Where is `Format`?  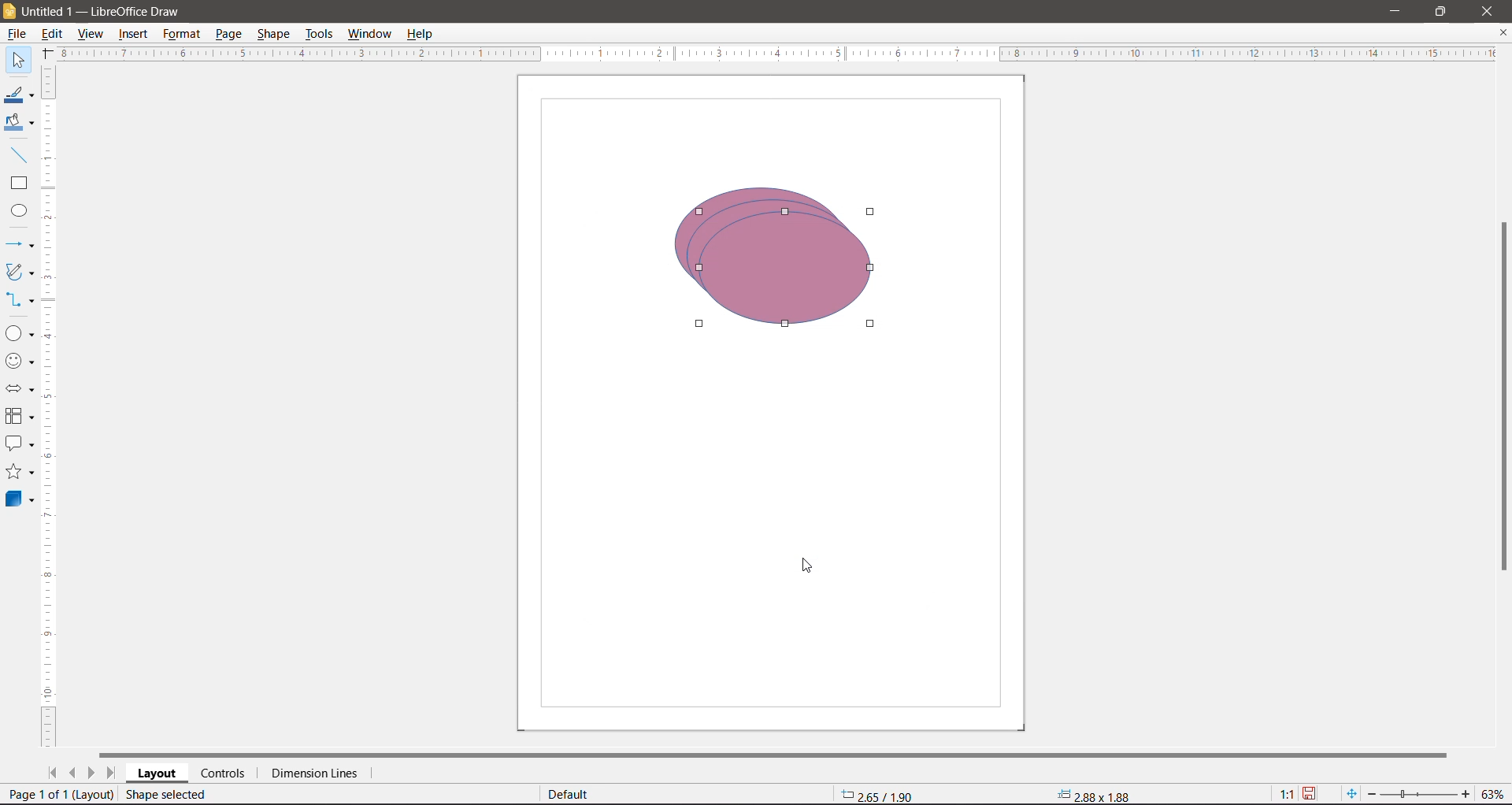 Format is located at coordinates (181, 34).